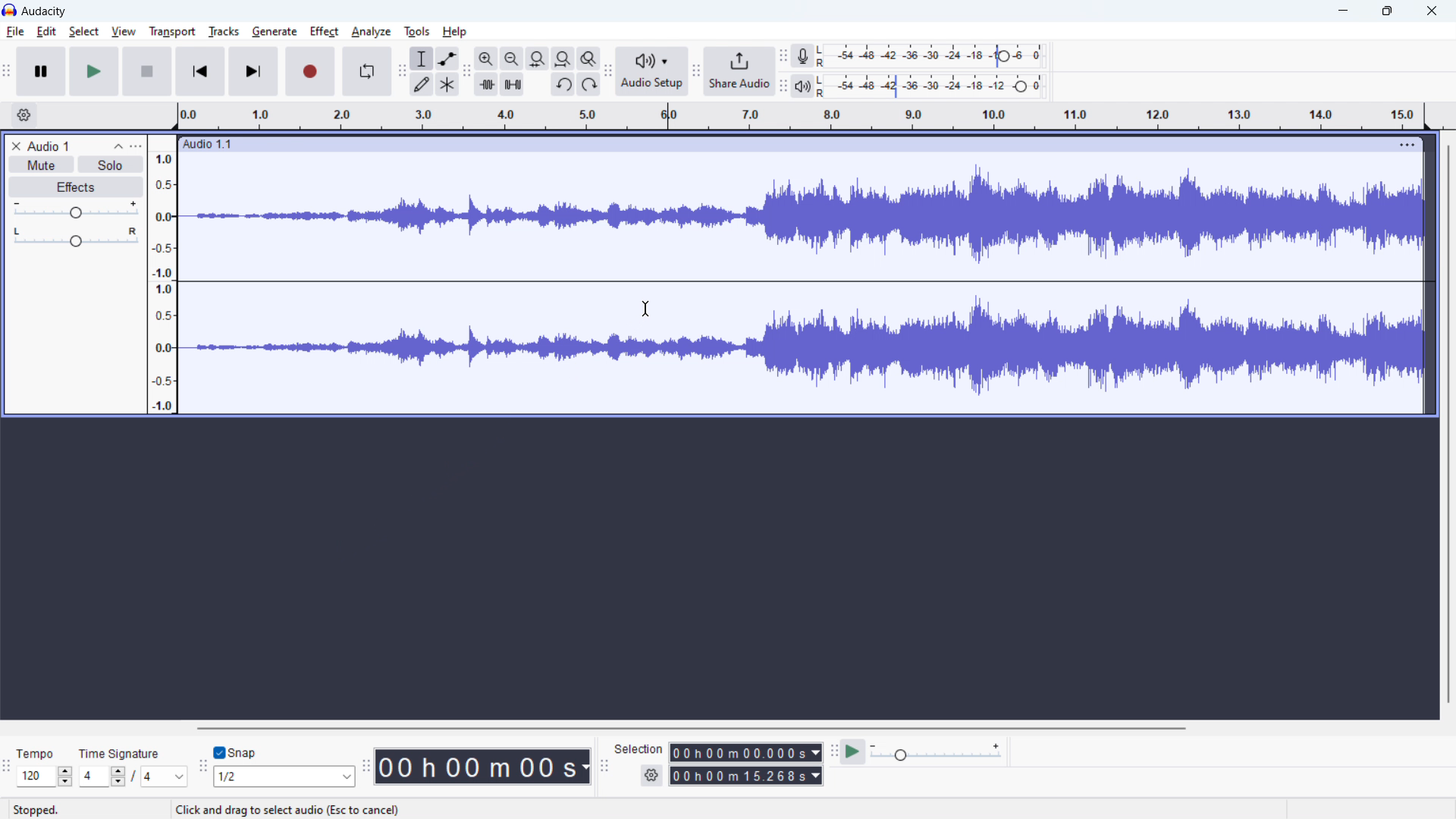 This screenshot has height=819, width=1456. I want to click on , so click(401, 71).